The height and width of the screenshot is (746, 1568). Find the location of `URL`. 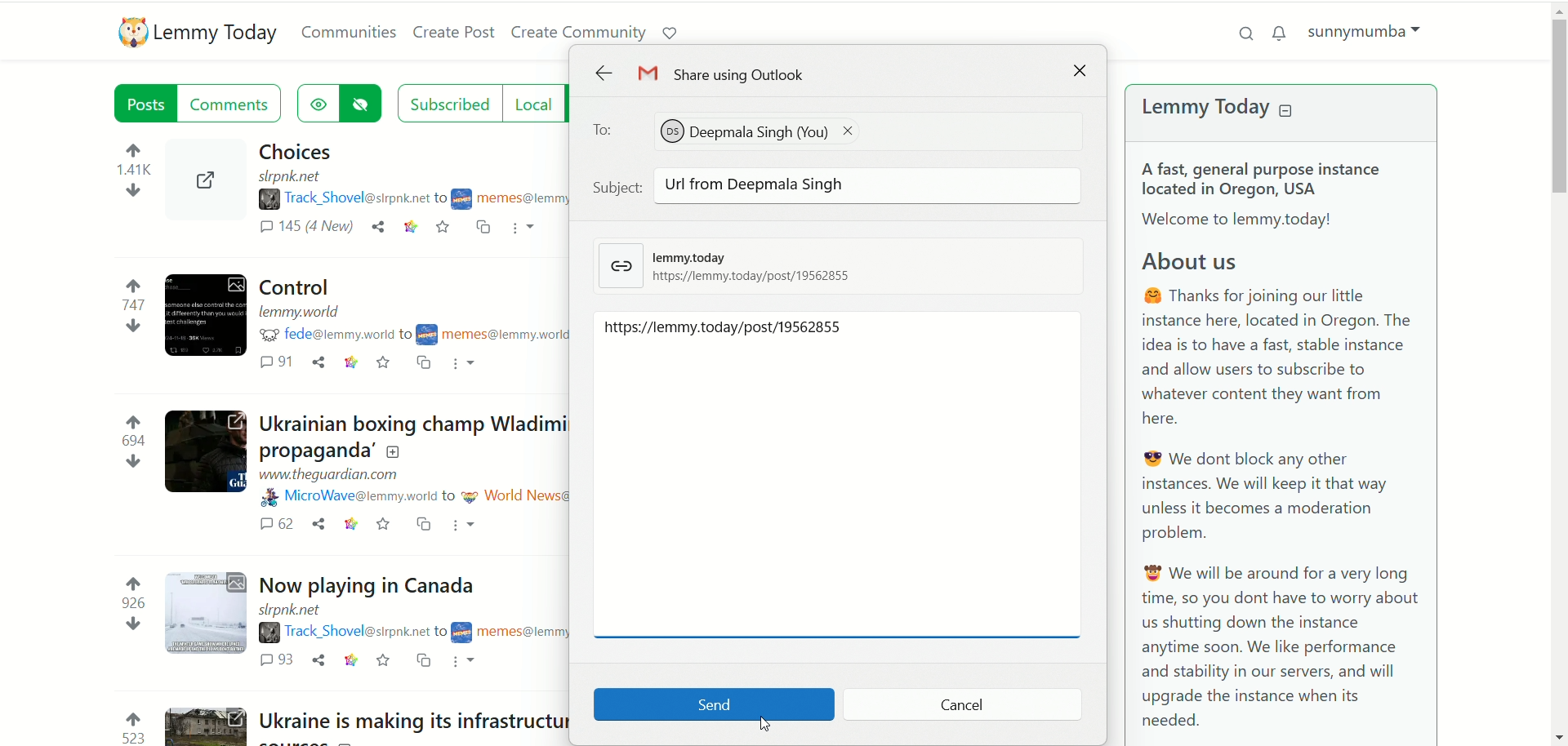

URL is located at coordinates (332, 476).